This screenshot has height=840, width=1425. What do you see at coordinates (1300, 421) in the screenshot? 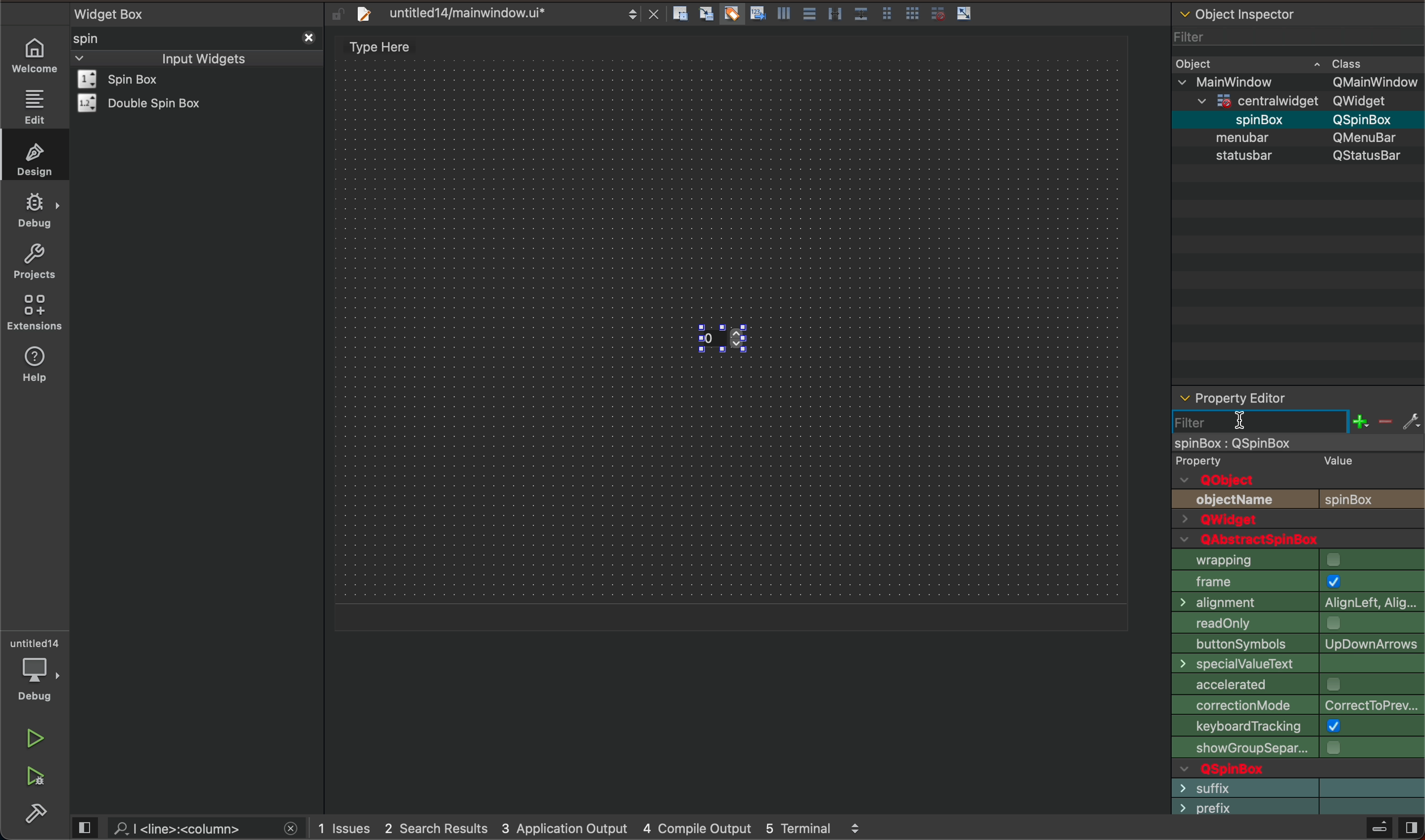
I see `before typing` at bounding box center [1300, 421].